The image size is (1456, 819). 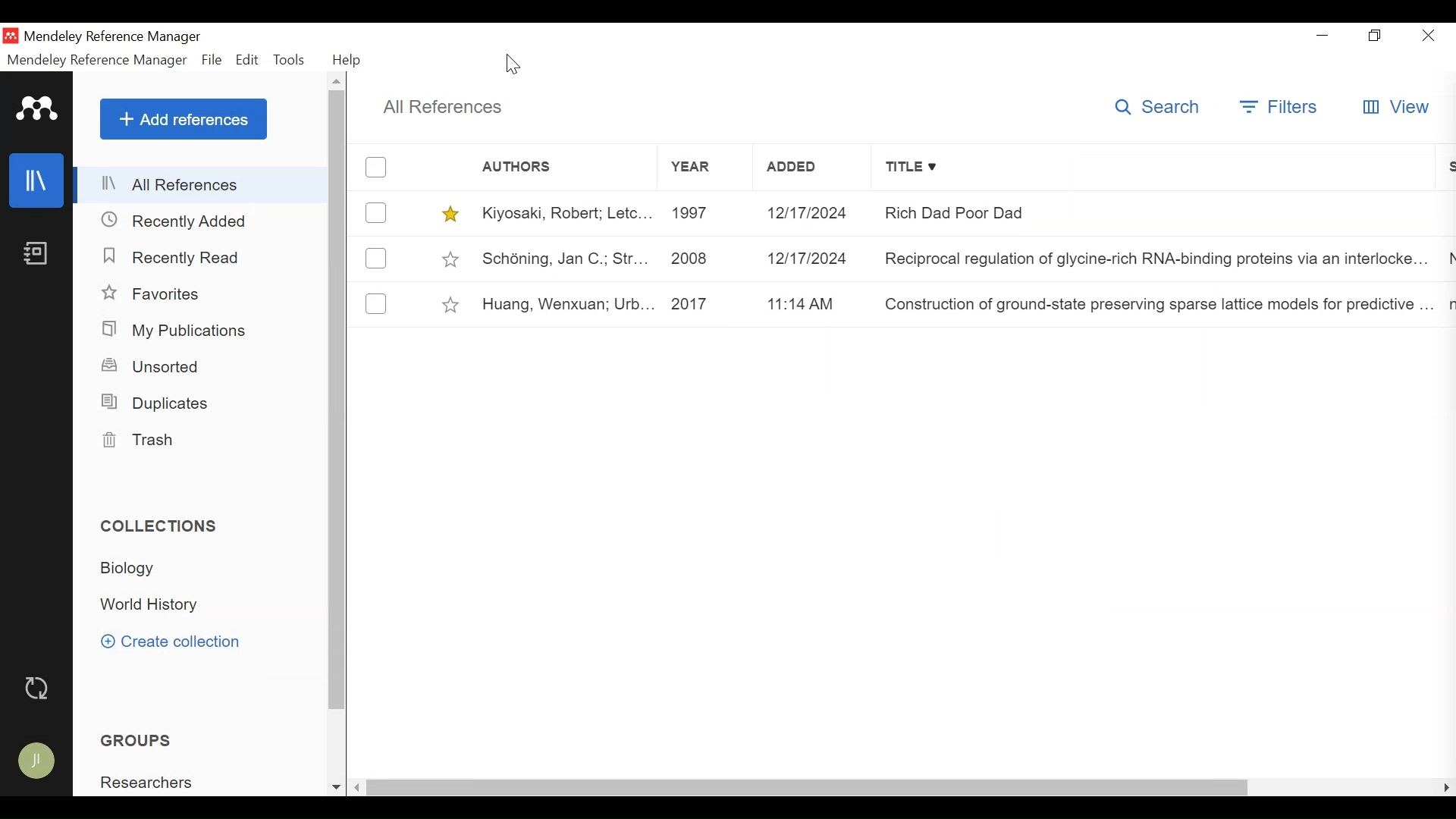 I want to click on File, so click(x=212, y=61).